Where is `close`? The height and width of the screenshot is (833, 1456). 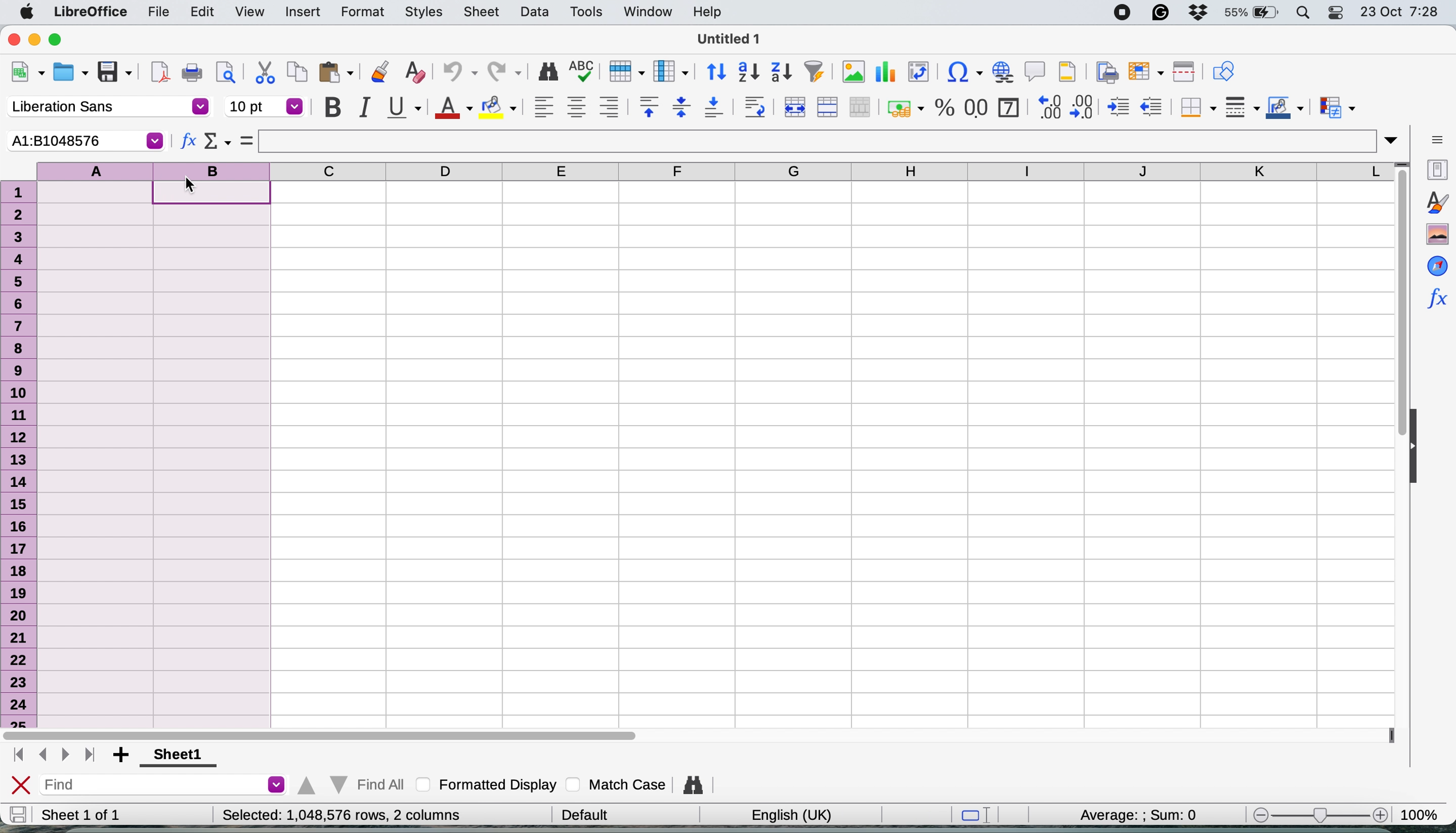
close is located at coordinates (21, 784).